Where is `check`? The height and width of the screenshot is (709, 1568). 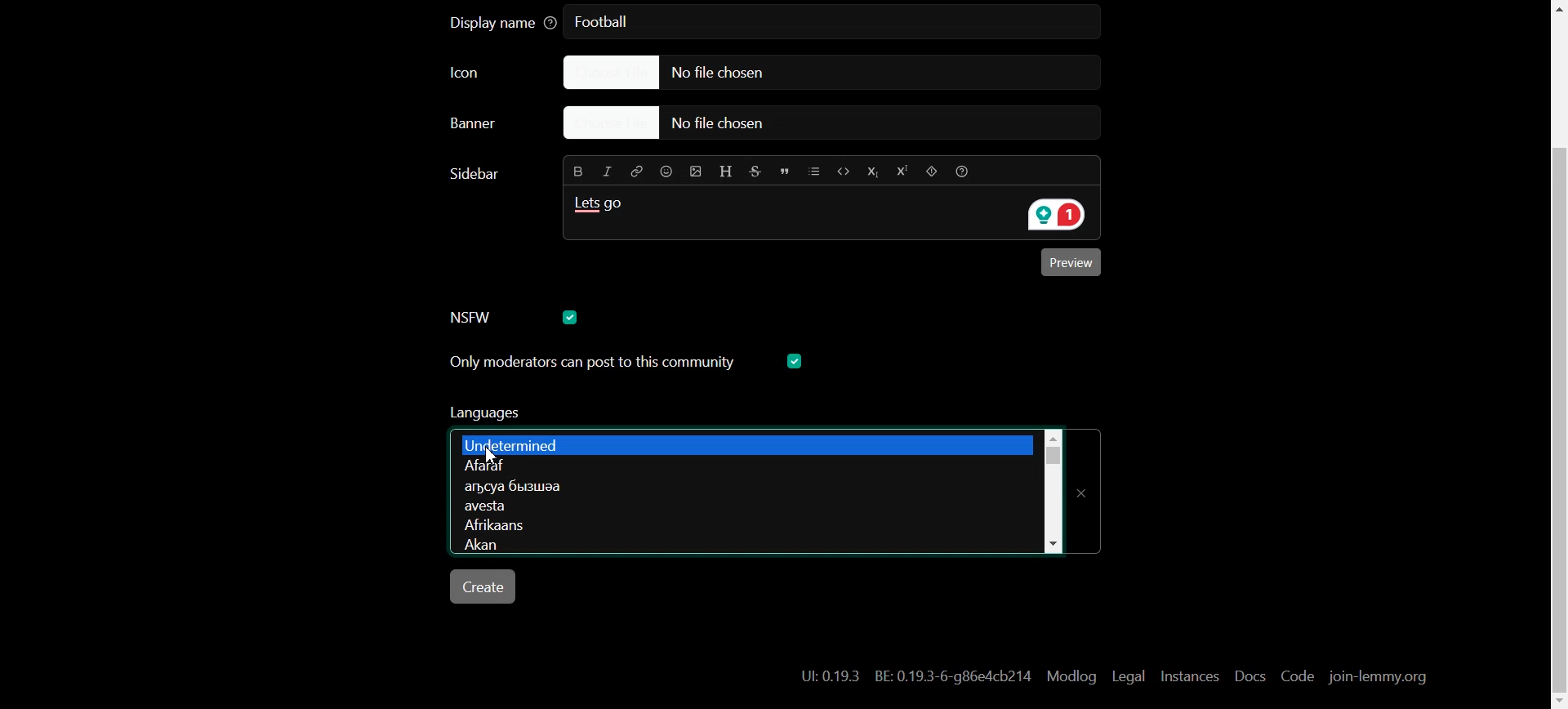 check is located at coordinates (572, 316).